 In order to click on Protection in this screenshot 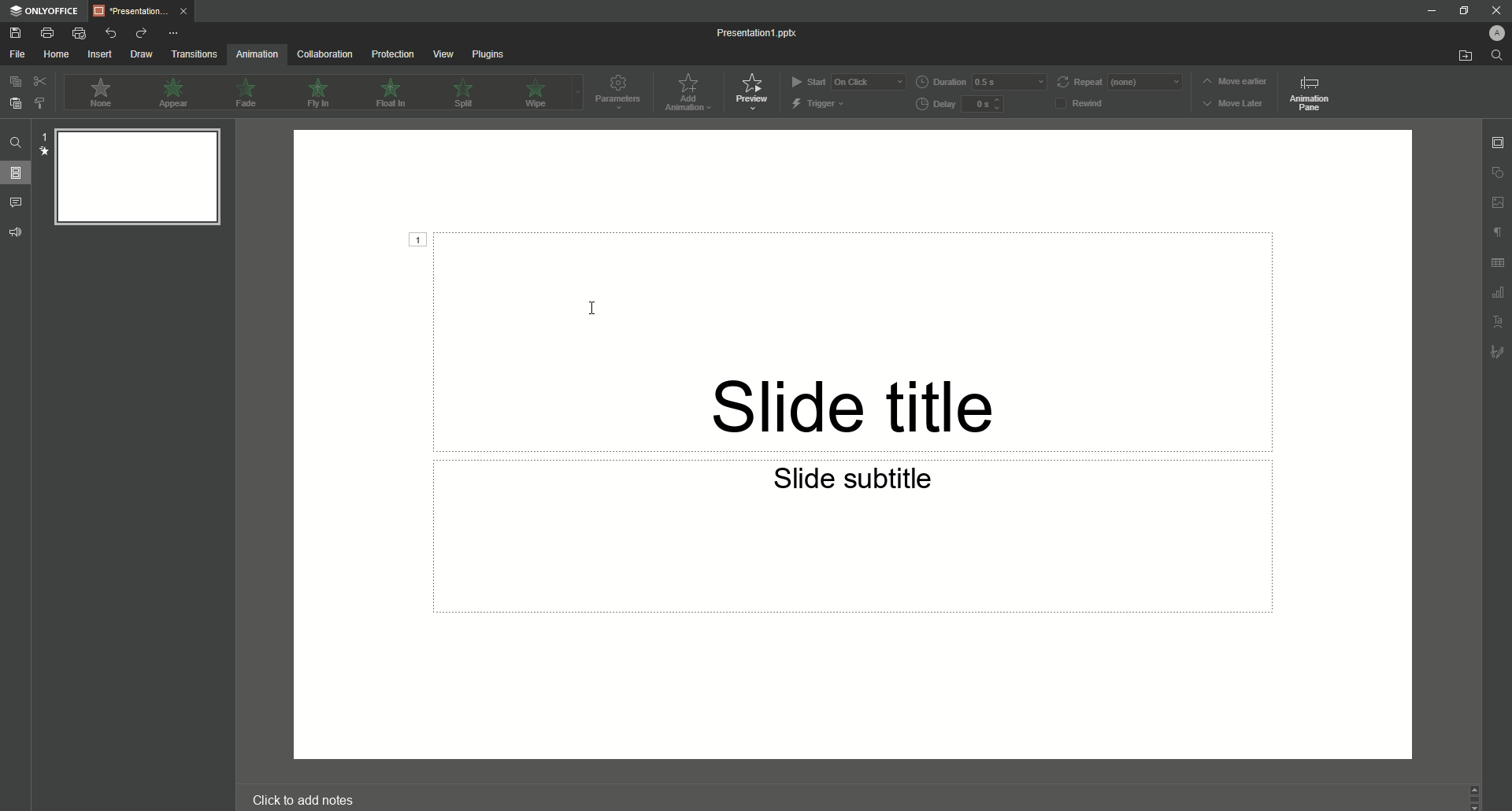, I will do `click(392, 56)`.